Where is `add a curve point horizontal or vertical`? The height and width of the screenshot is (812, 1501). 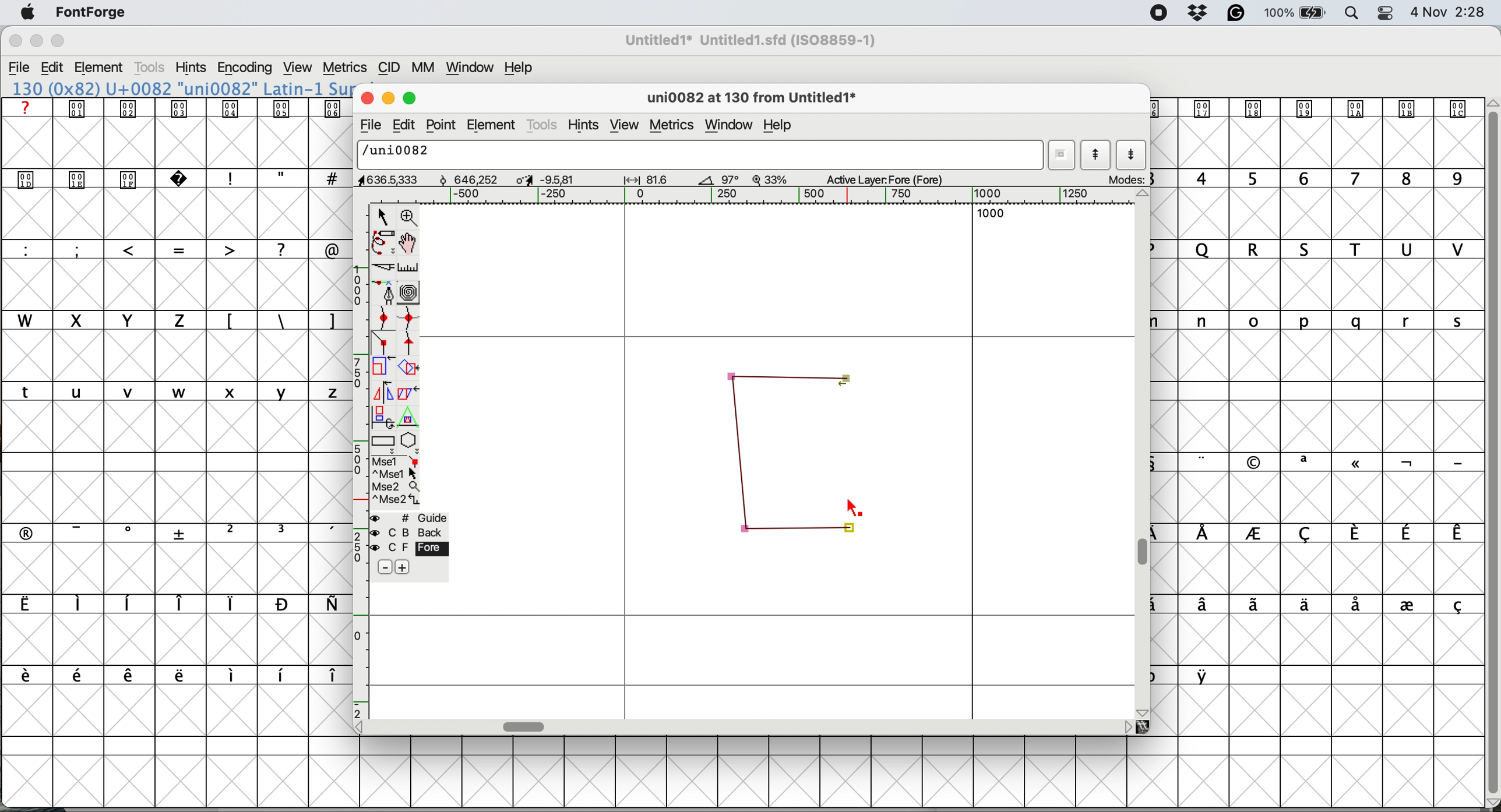
add a curve point horizontal or vertical is located at coordinates (409, 318).